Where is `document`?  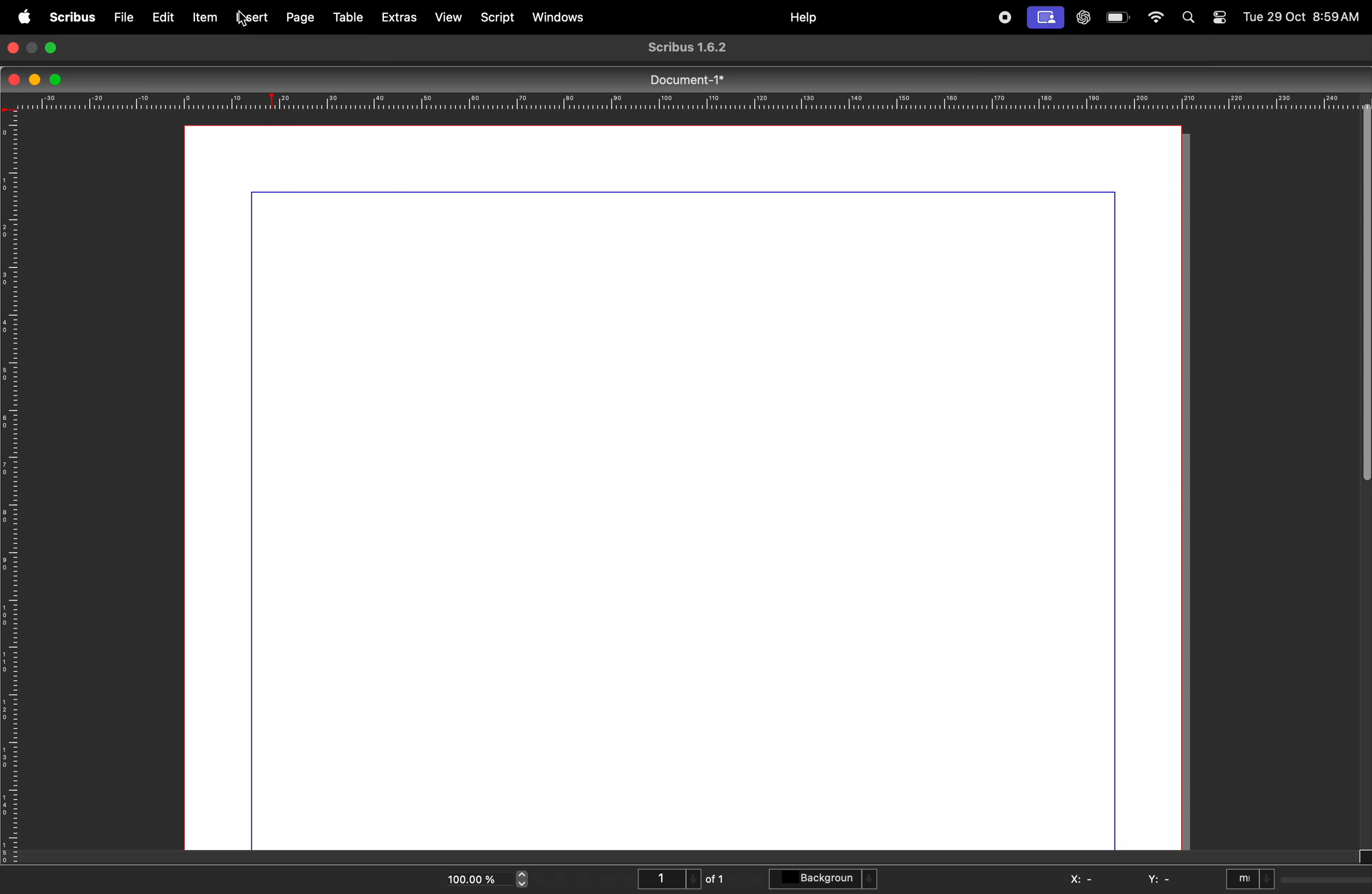
document is located at coordinates (661, 486).